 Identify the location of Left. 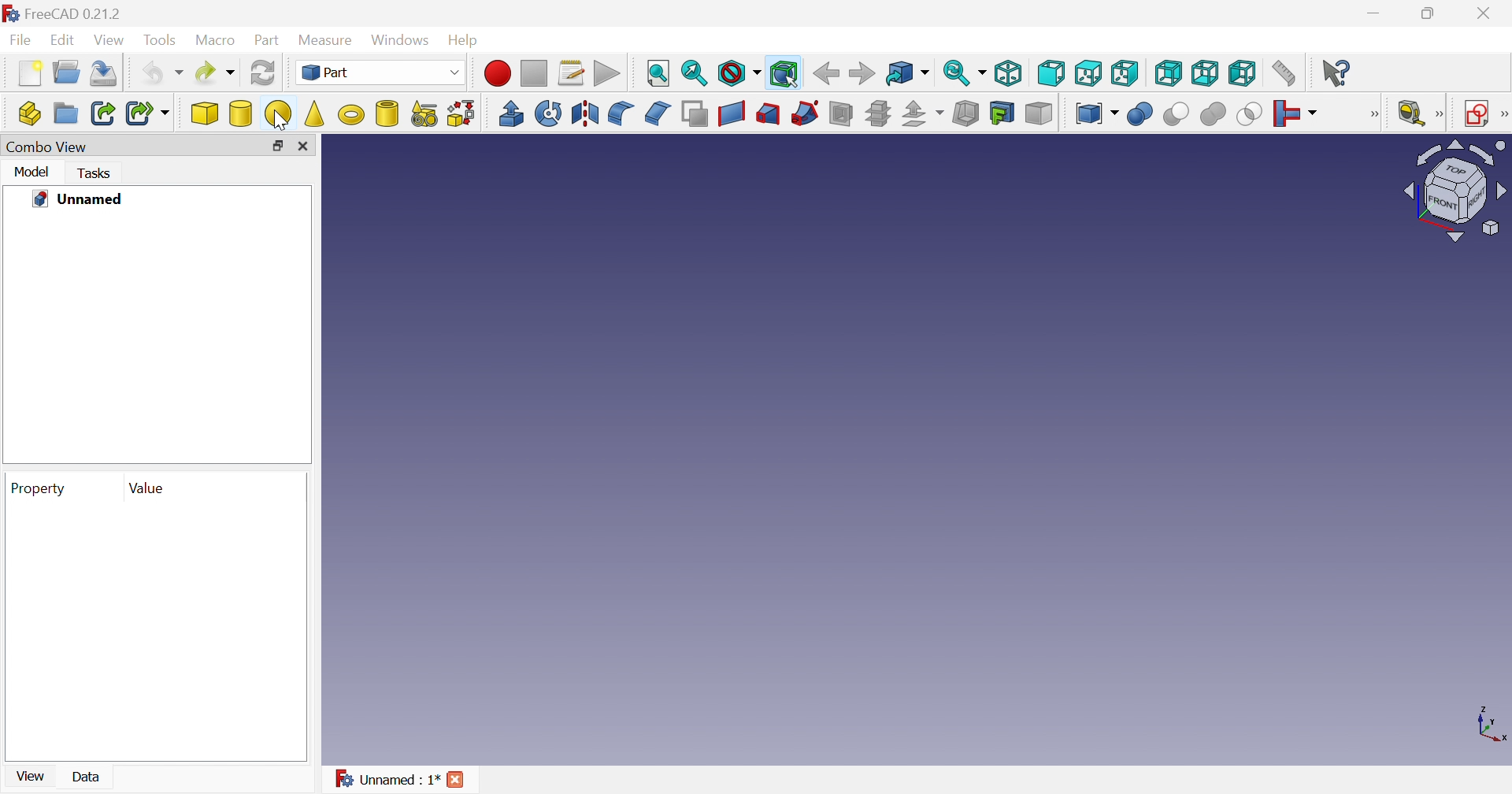
(1243, 72).